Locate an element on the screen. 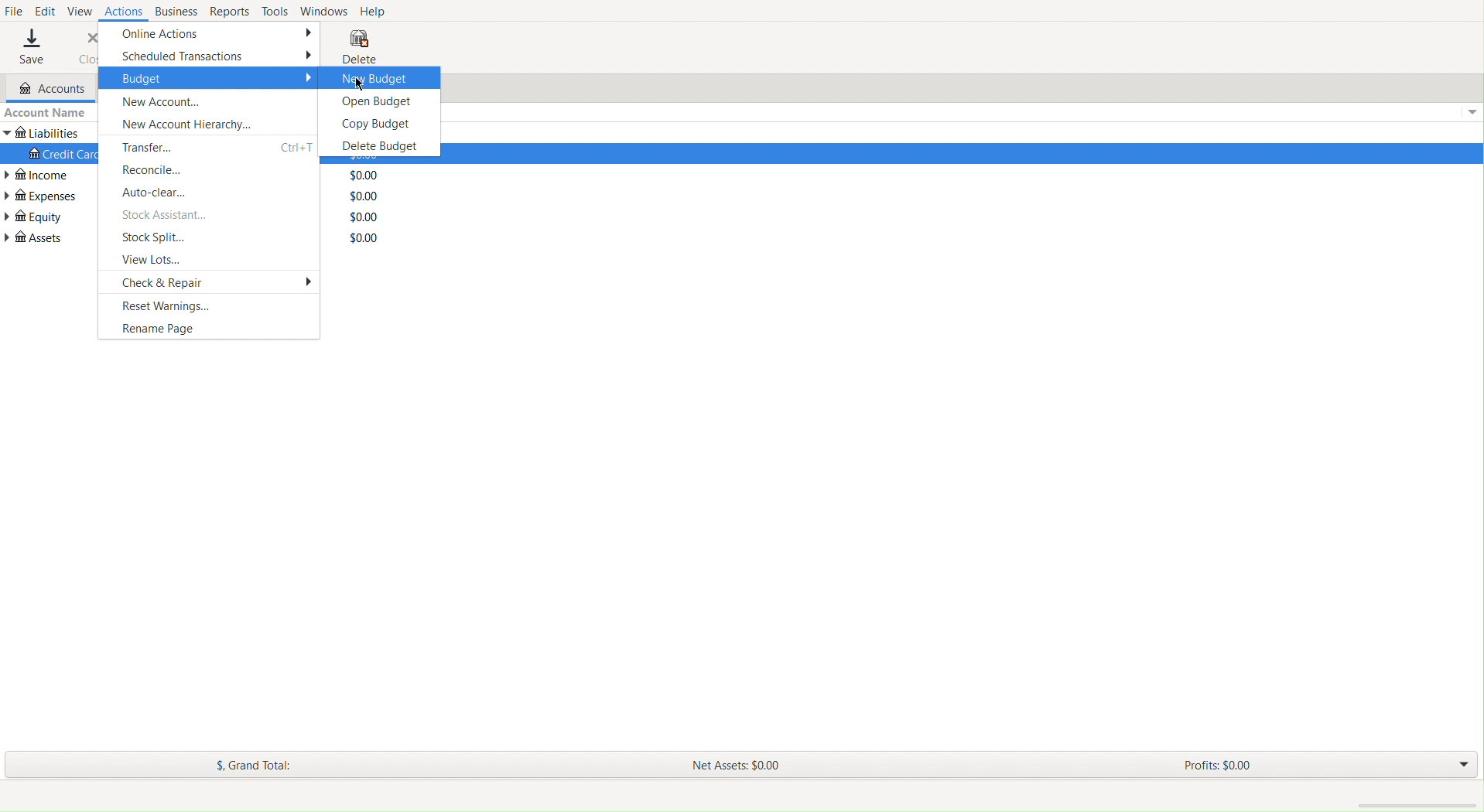 This screenshot has width=1484, height=812. Tools is located at coordinates (276, 11).